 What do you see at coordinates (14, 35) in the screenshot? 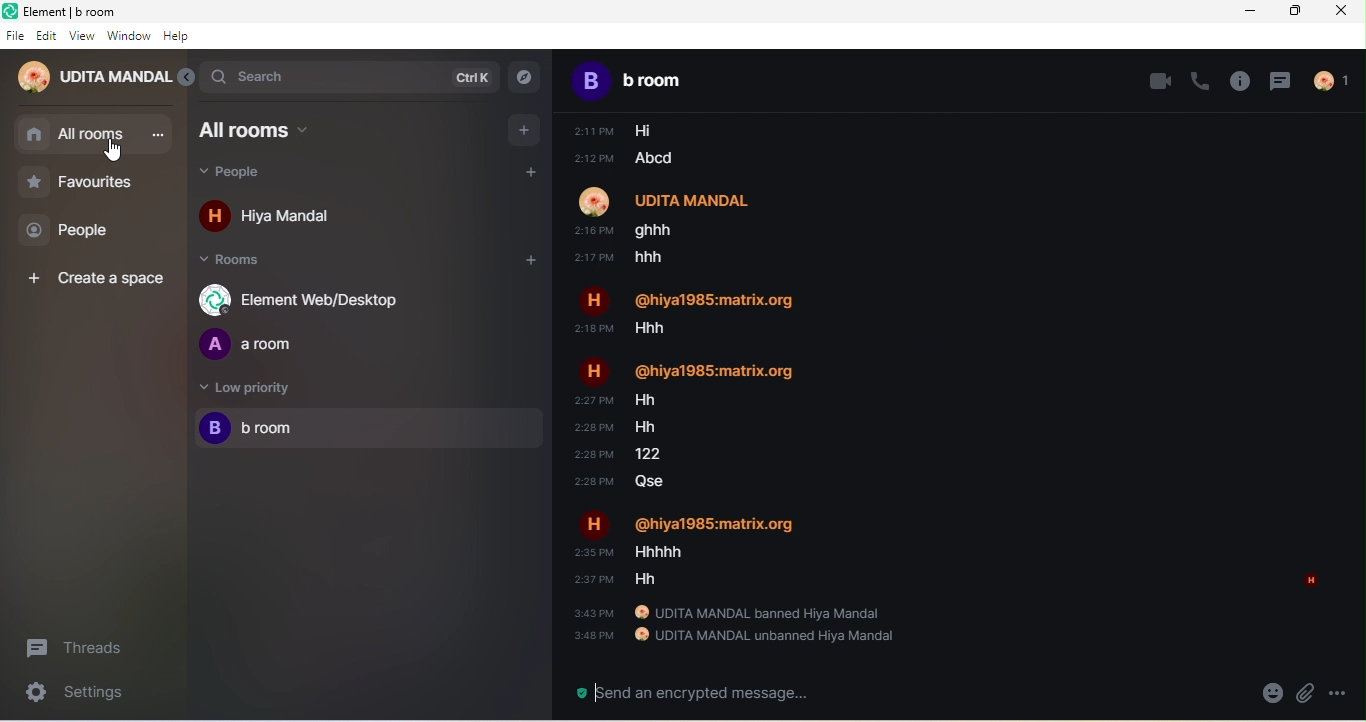
I see `file` at bounding box center [14, 35].